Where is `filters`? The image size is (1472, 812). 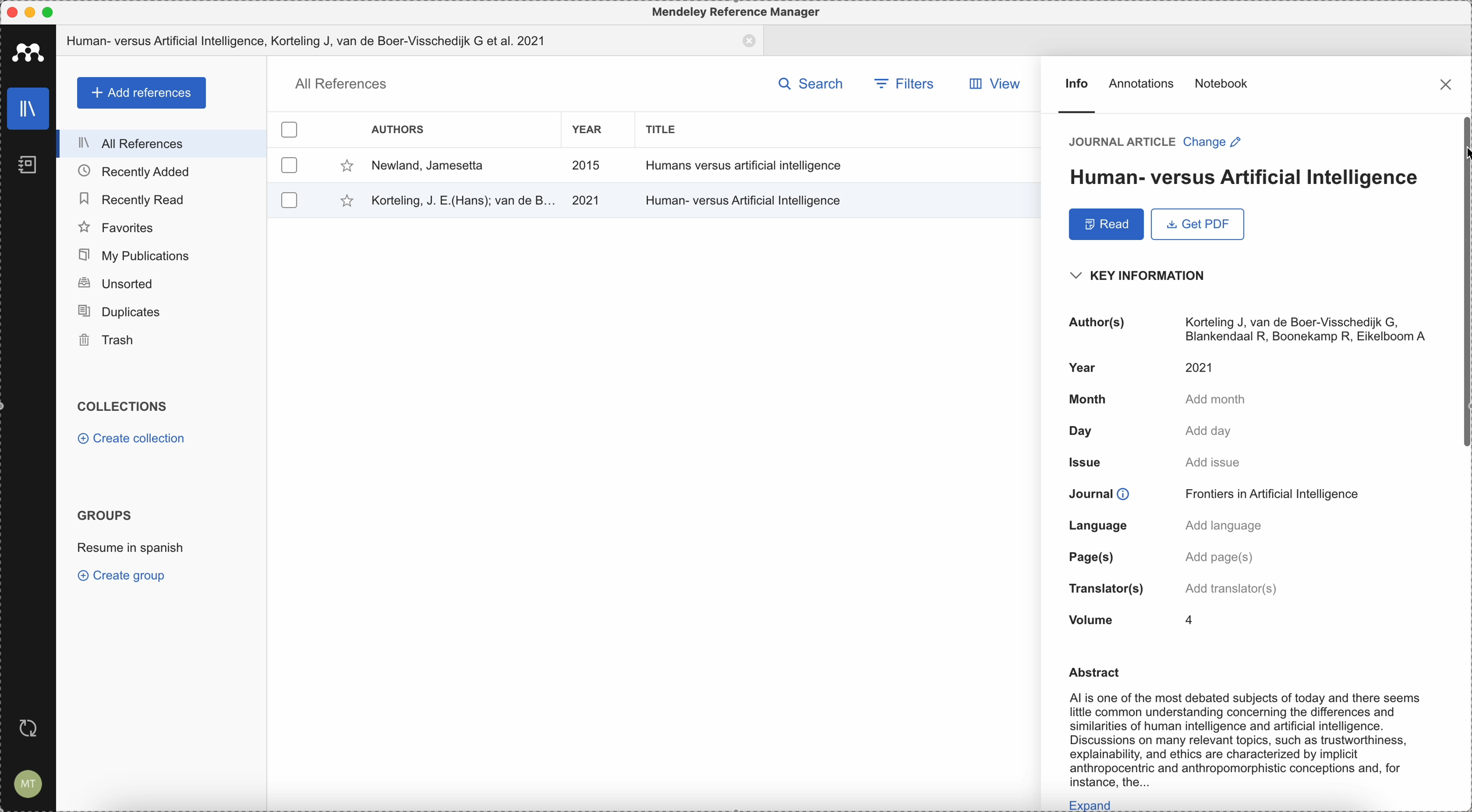
filters is located at coordinates (903, 82).